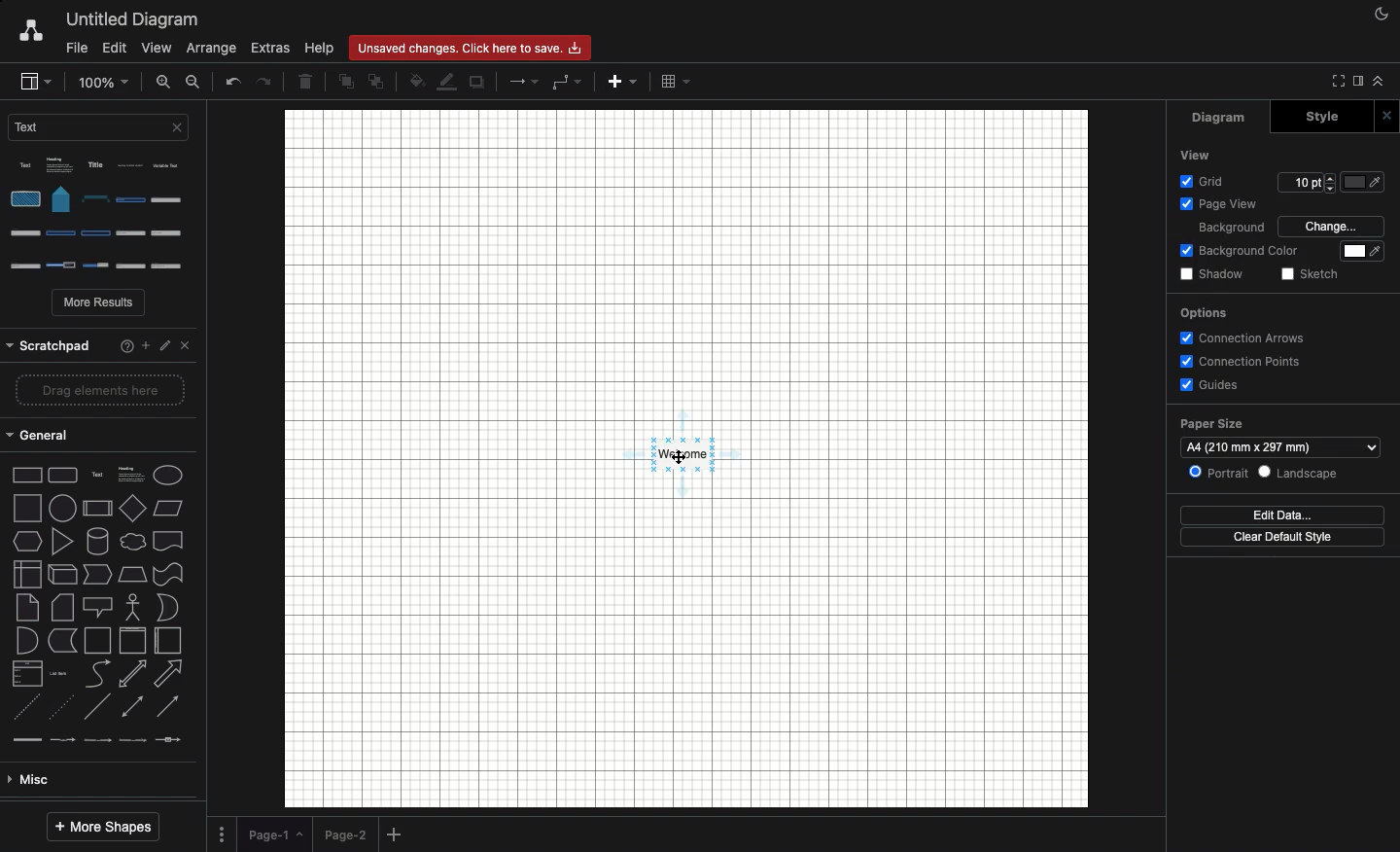  Describe the element at coordinates (667, 83) in the screenshot. I see `grid` at that location.